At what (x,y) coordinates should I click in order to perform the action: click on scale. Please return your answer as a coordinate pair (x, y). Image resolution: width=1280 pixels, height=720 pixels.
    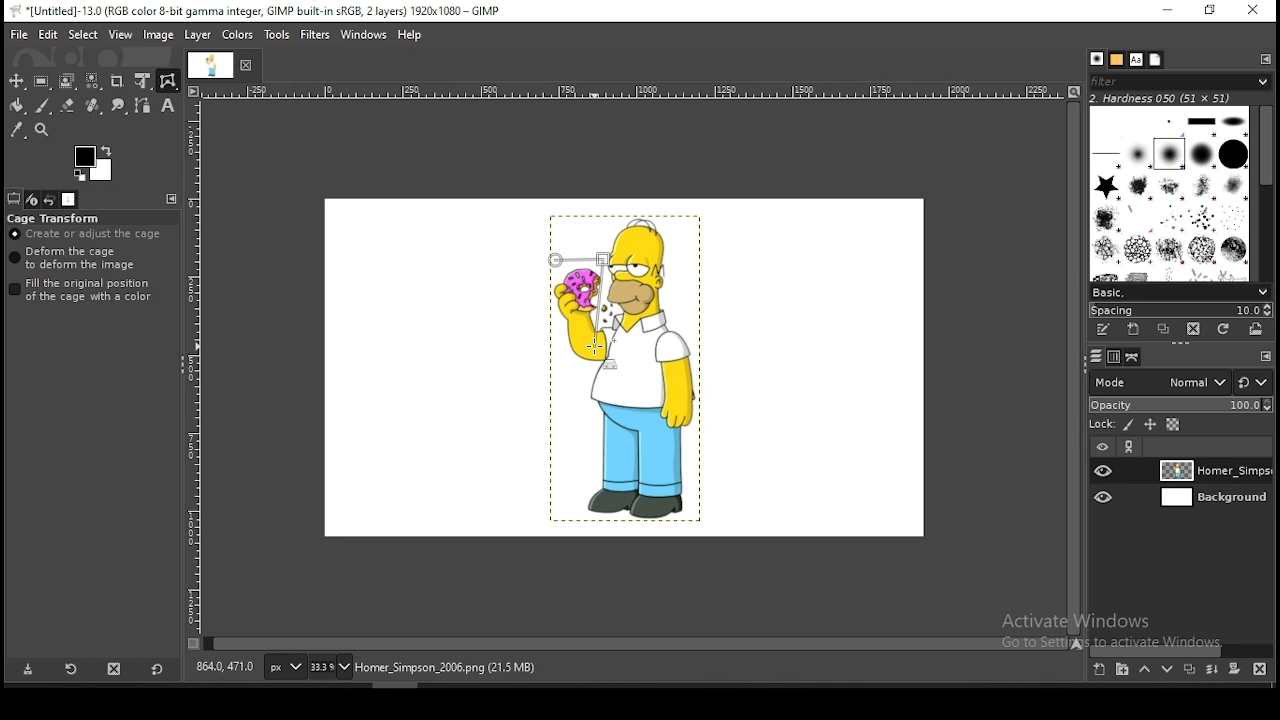
    Looking at the image, I should click on (193, 372).